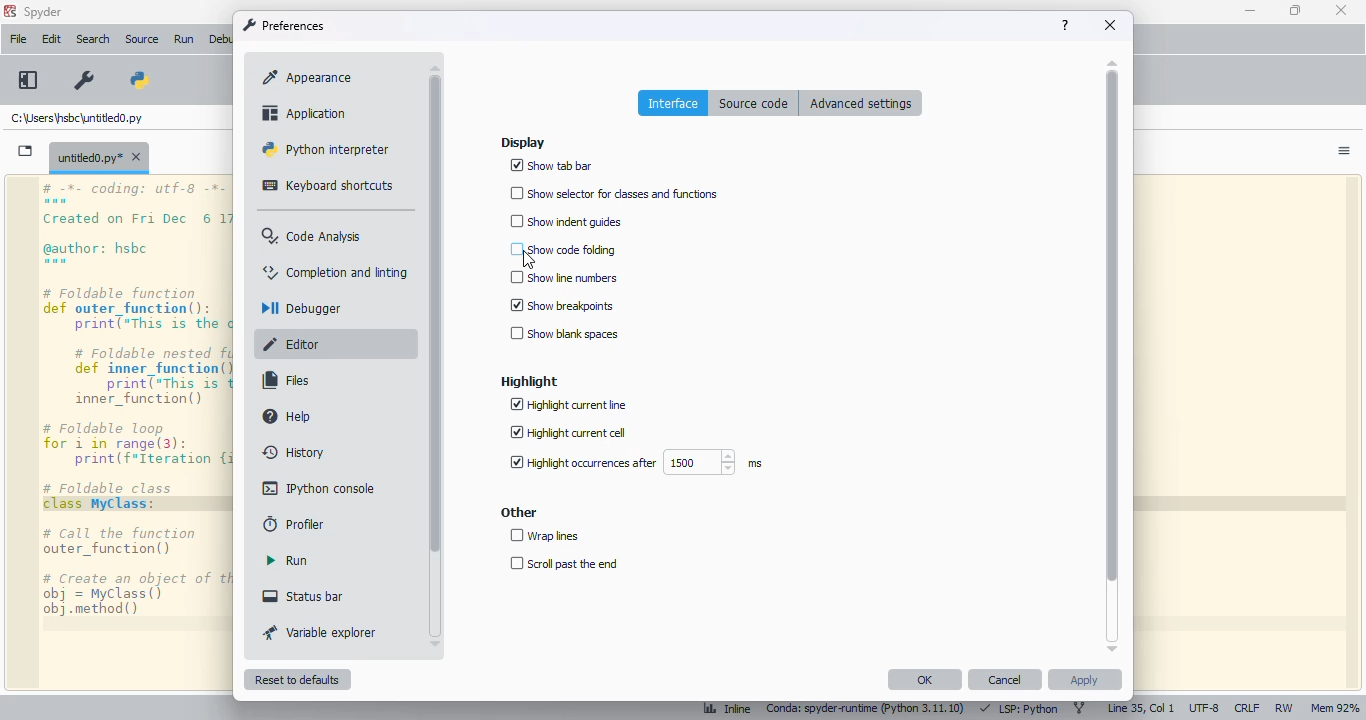 This screenshot has height=720, width=1366. What do you see at coordinates (523, 143) in the screenshot?
I see `display` at bounding box center [523, 143].